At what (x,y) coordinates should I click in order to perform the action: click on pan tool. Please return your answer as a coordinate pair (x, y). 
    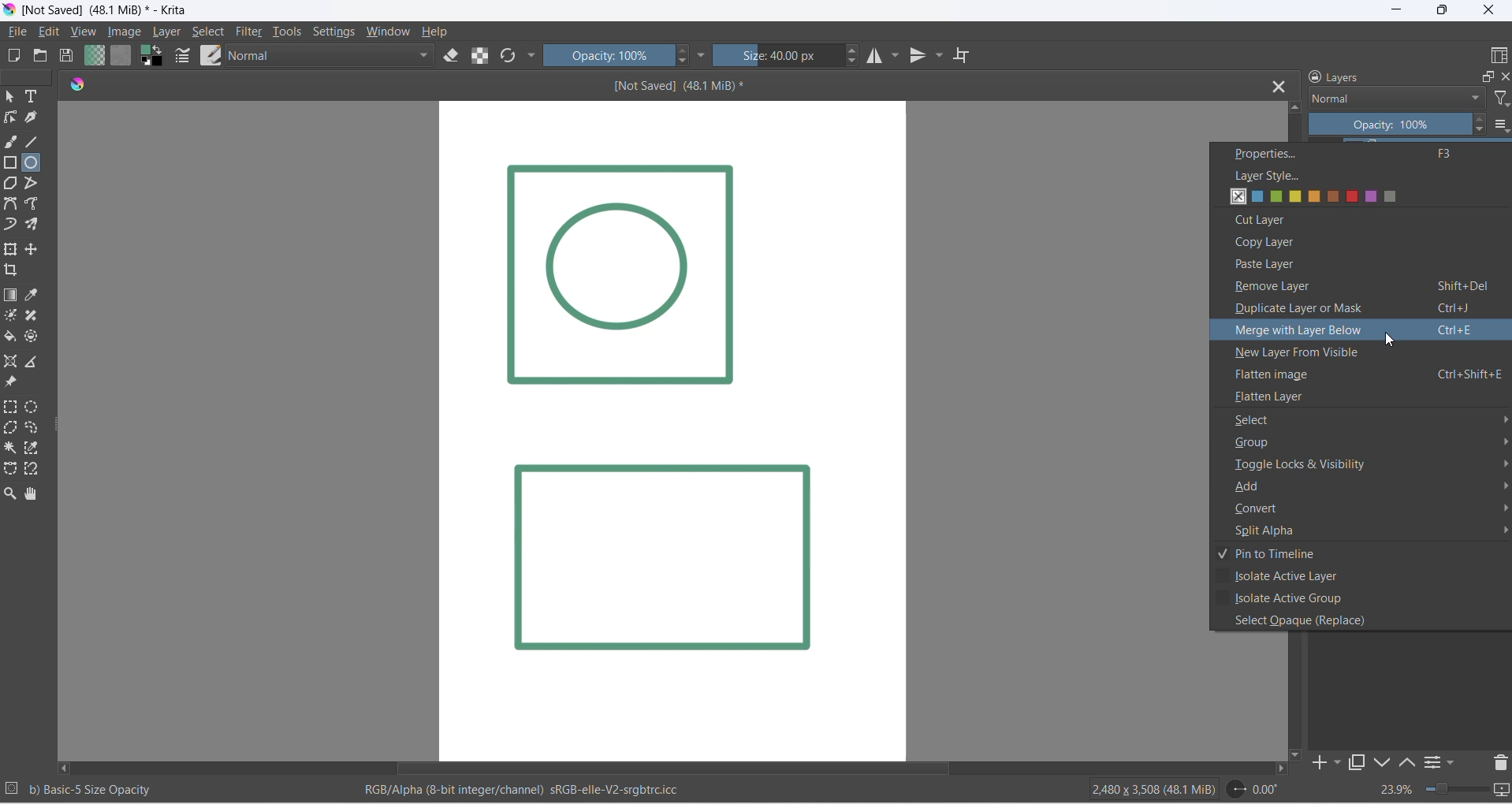
    Looking at the image, I should click on (35, 494).